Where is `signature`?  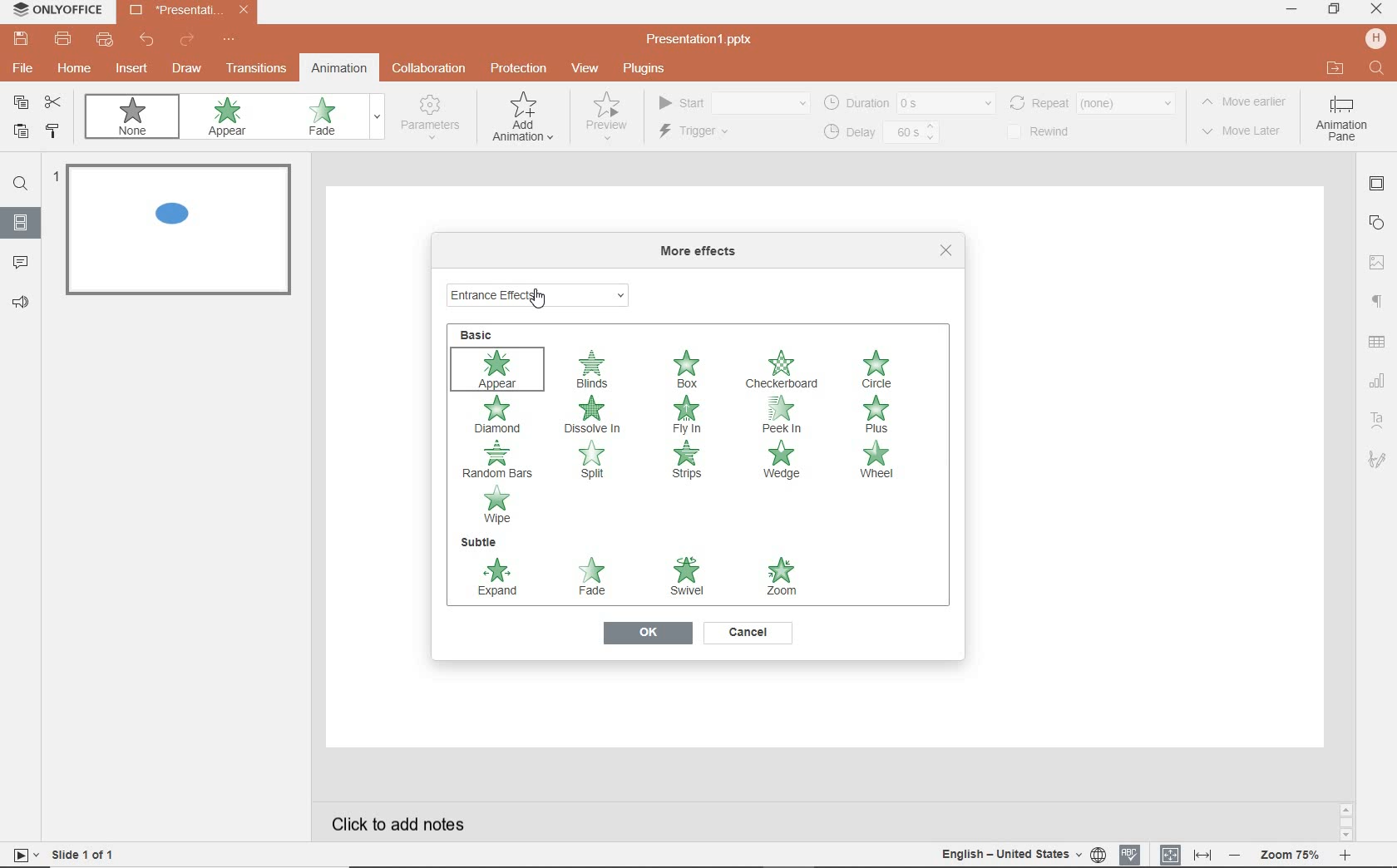
signature is located at coordinates (1377, 461).